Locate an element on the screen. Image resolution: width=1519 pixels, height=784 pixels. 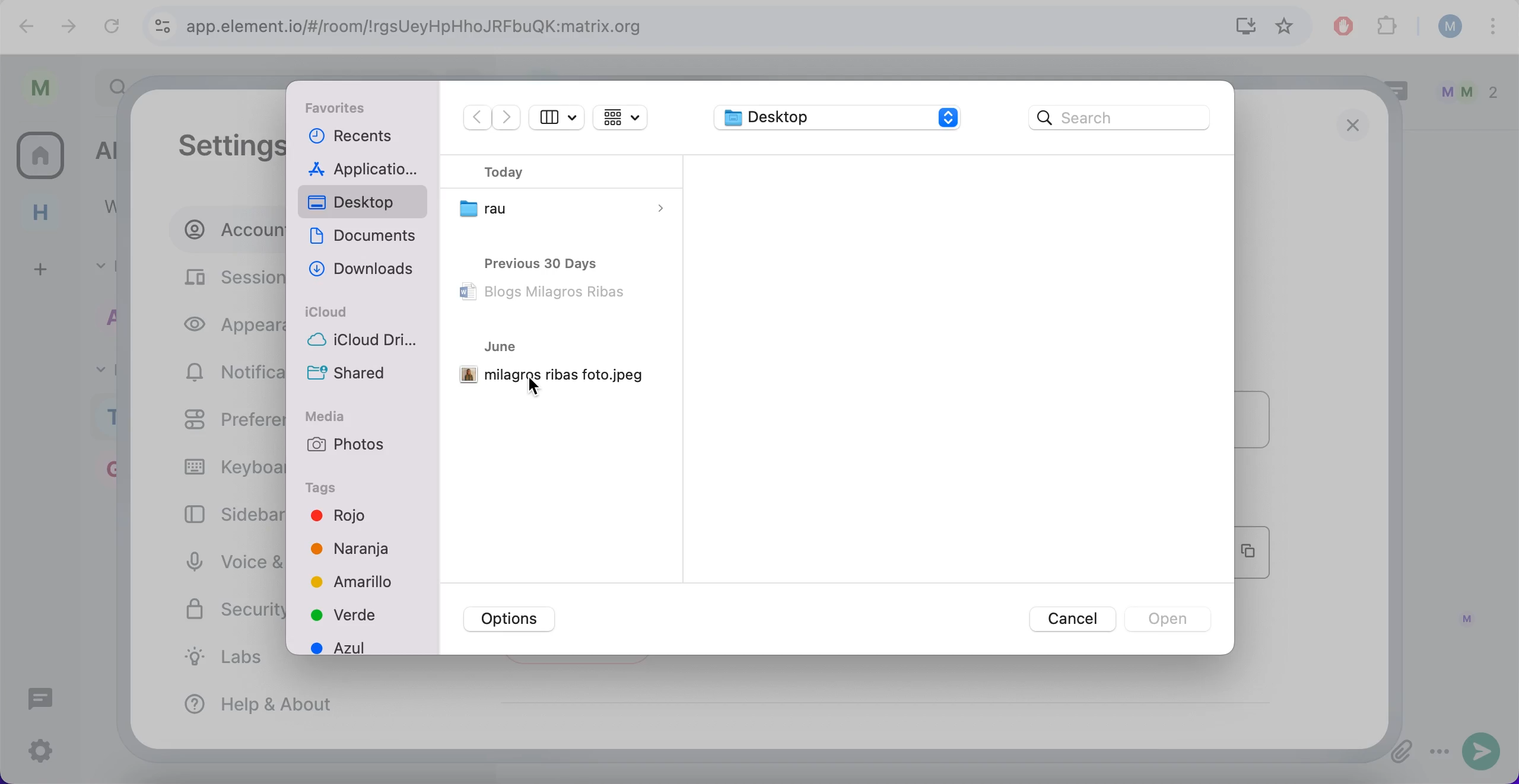
change the item grouping is located at coordinates (624, 119).